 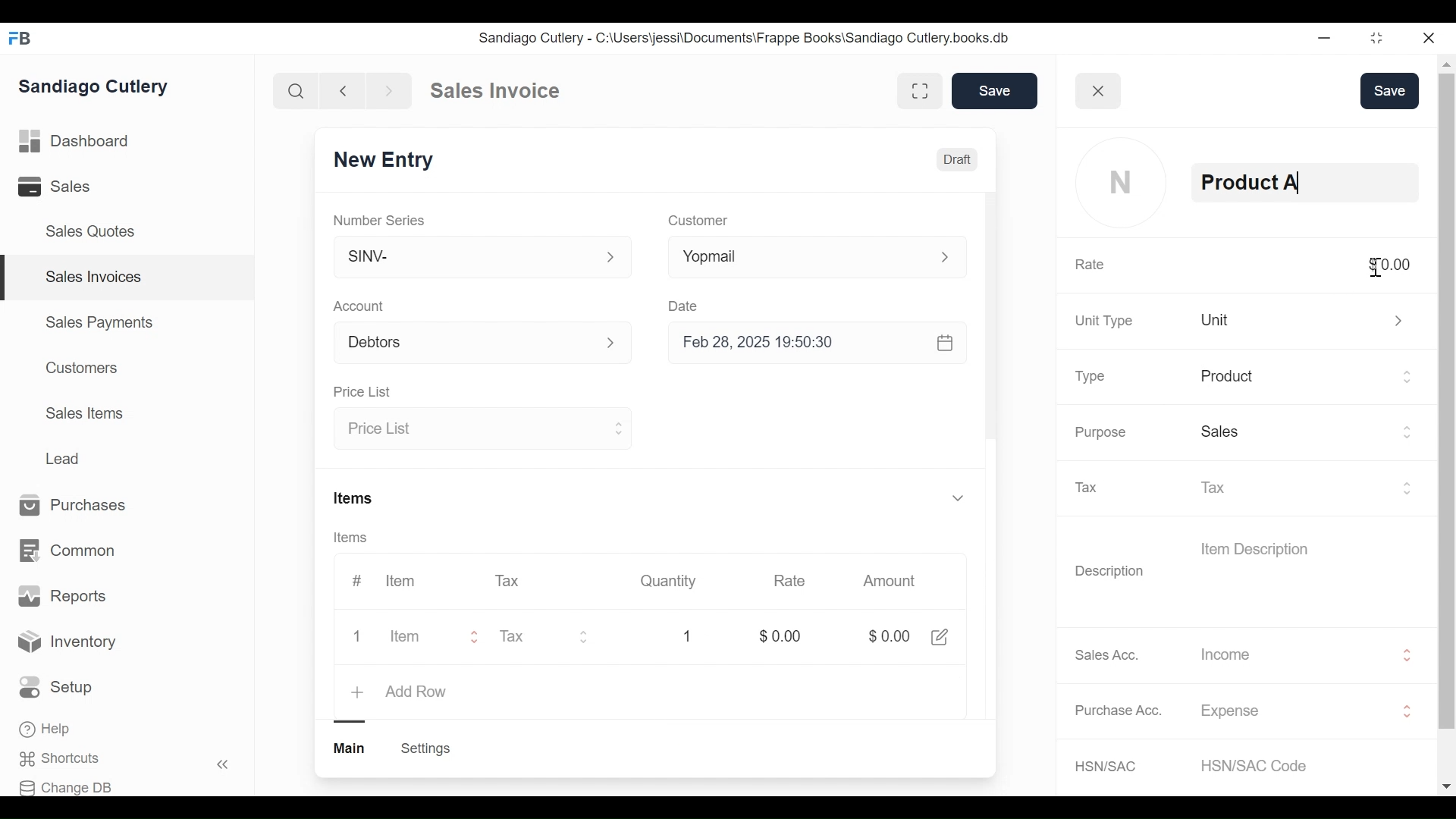 What do you see at coordinates (1100, 90) in the screenshot?
I see `close` at bounding box center [1100, 90].